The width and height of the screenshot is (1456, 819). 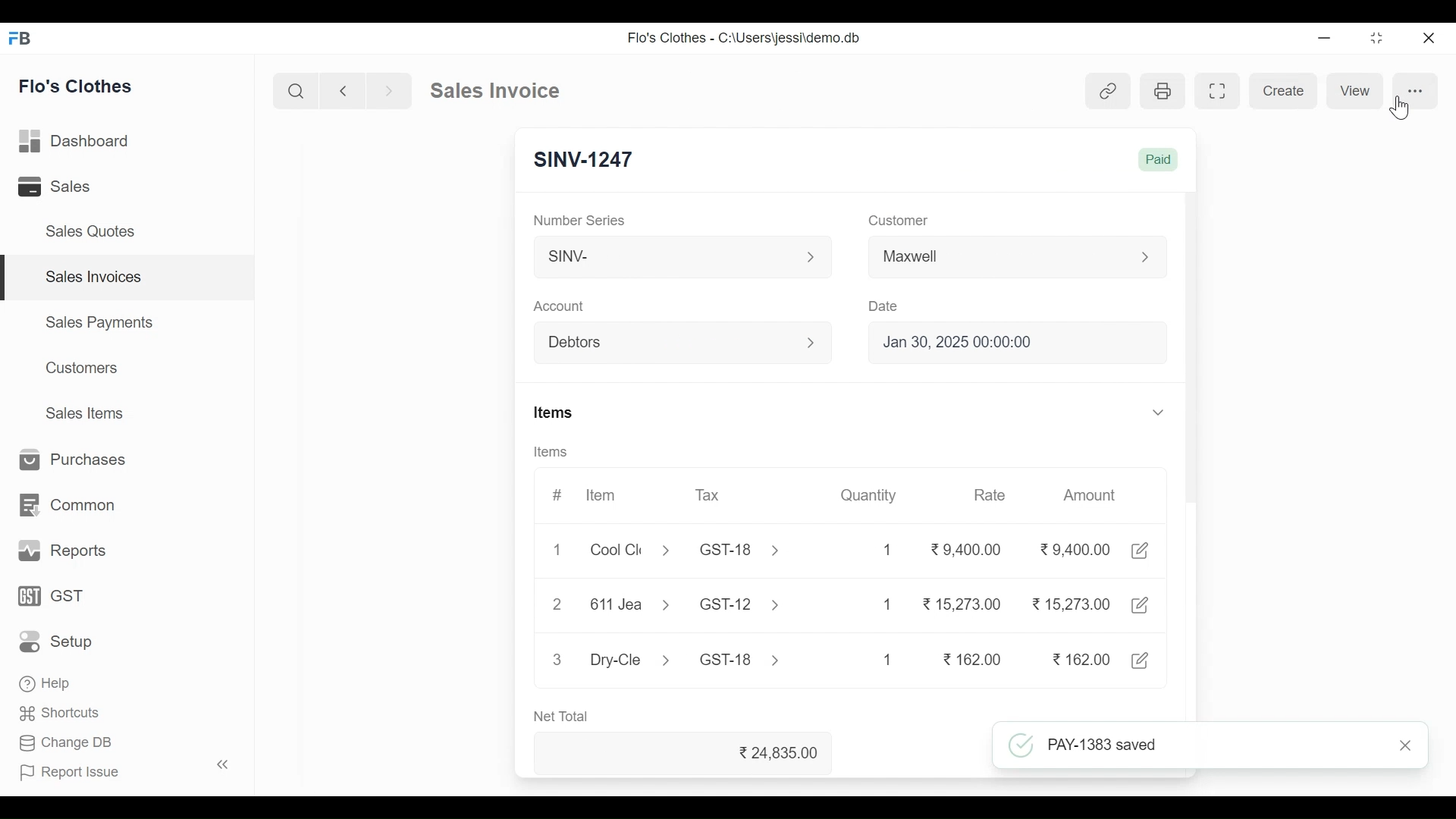 What do you see at coordinates (886, 307) in the screenshot?
I see `Date` at bounding box center [886, 307].